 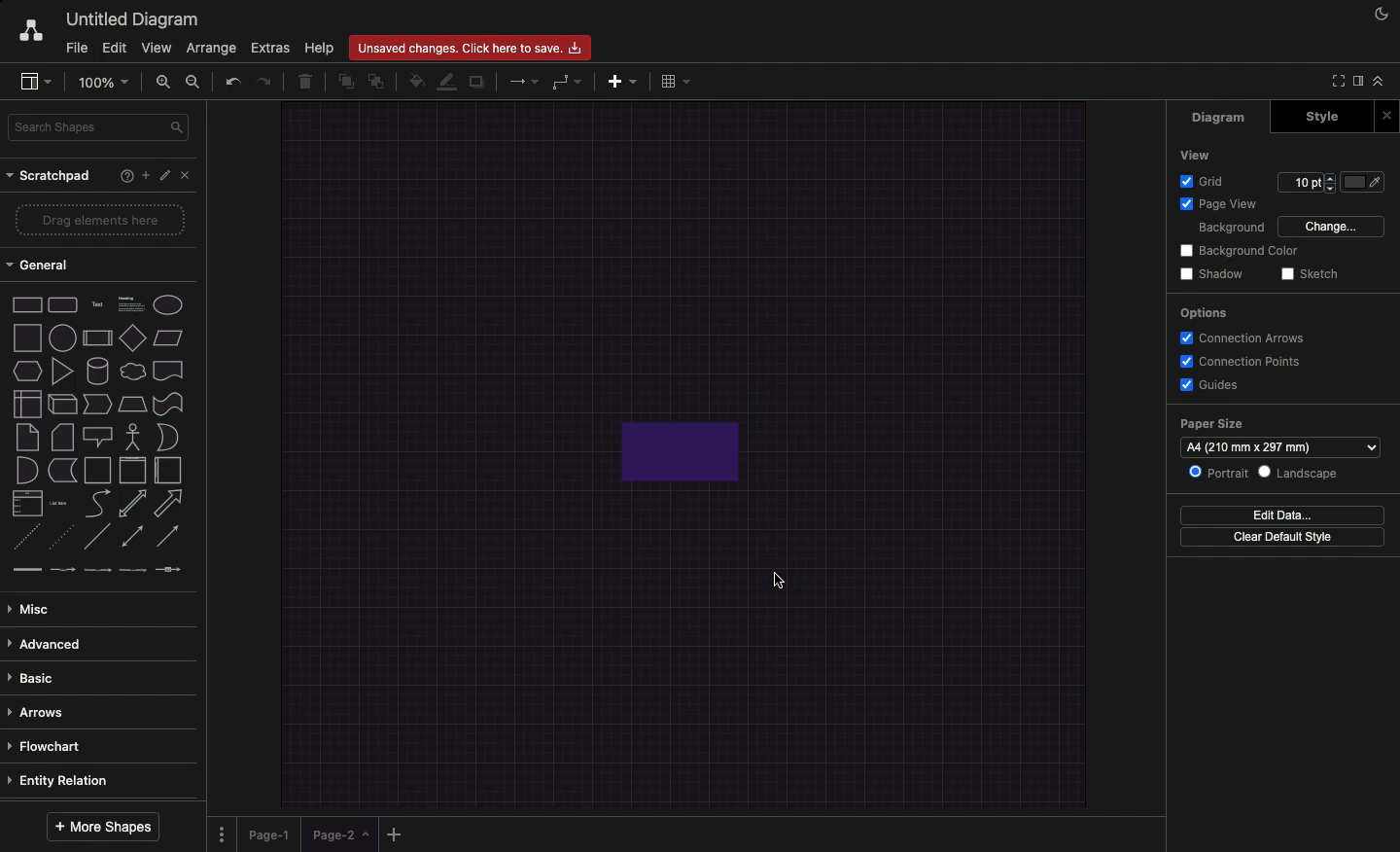 I want to click on Drag elements here, so click(x=102, y=221).